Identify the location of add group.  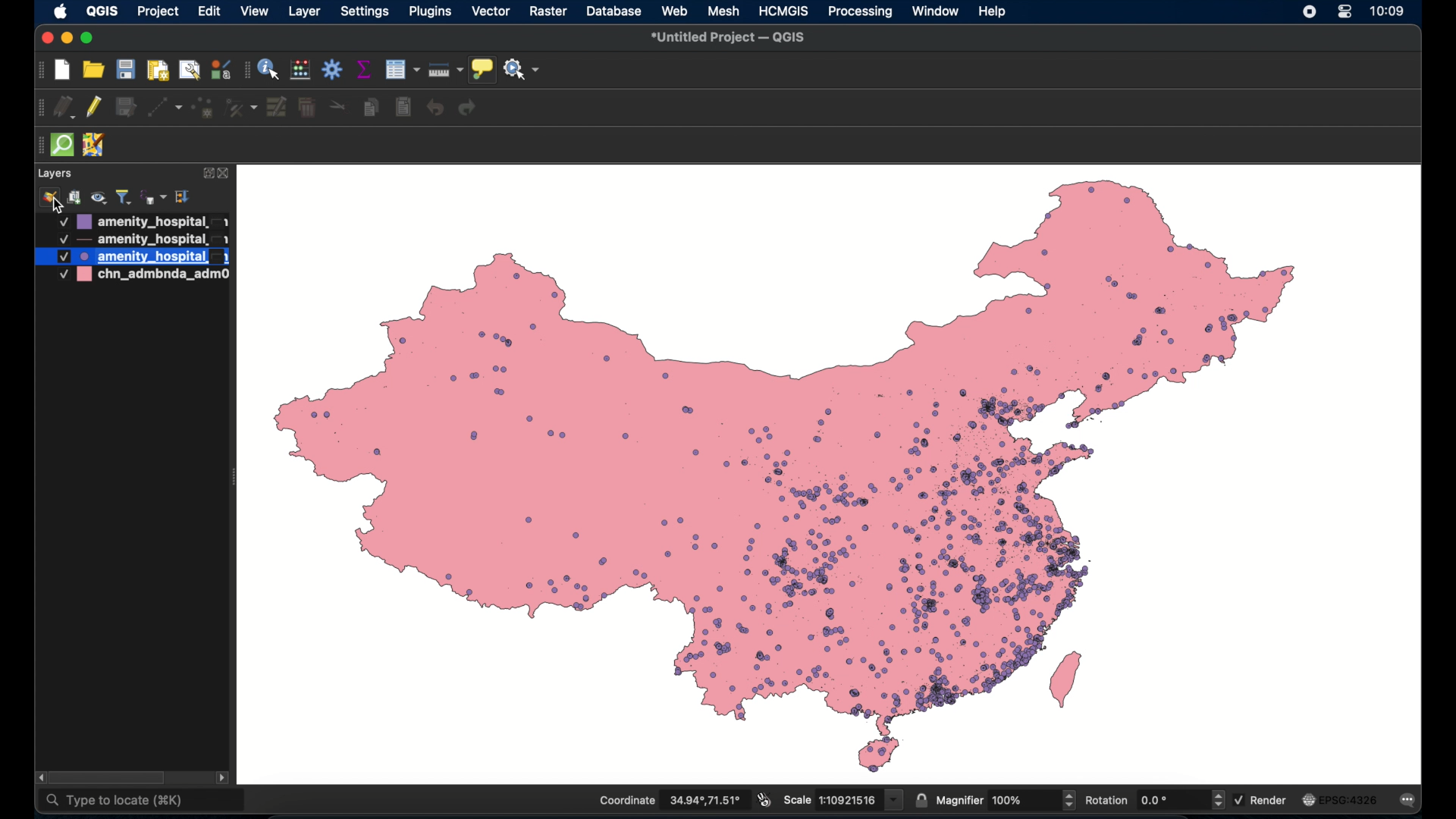
(75, 198).